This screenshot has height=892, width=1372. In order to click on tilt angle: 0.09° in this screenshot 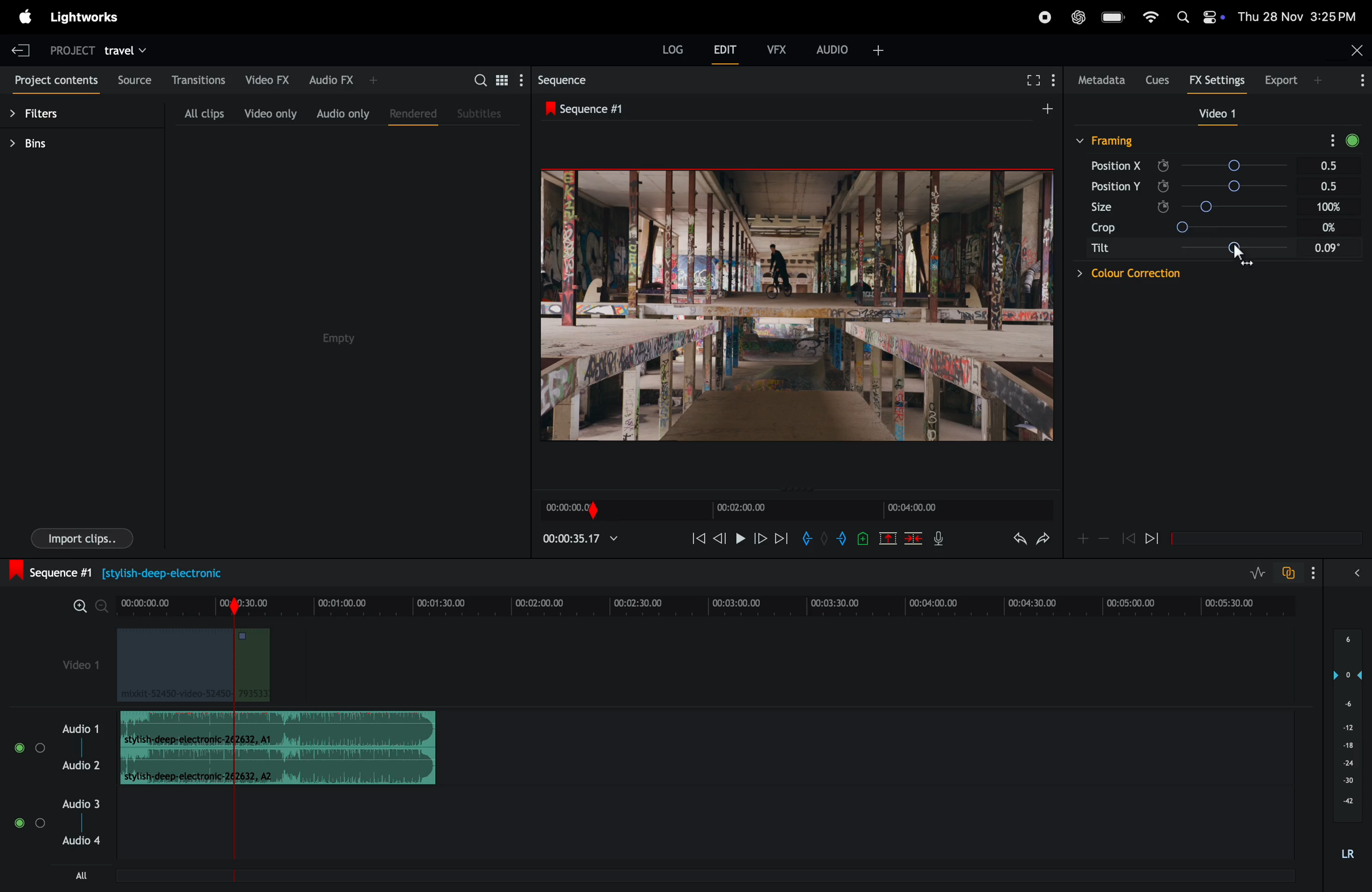, I will do `click(1280, 250)`.